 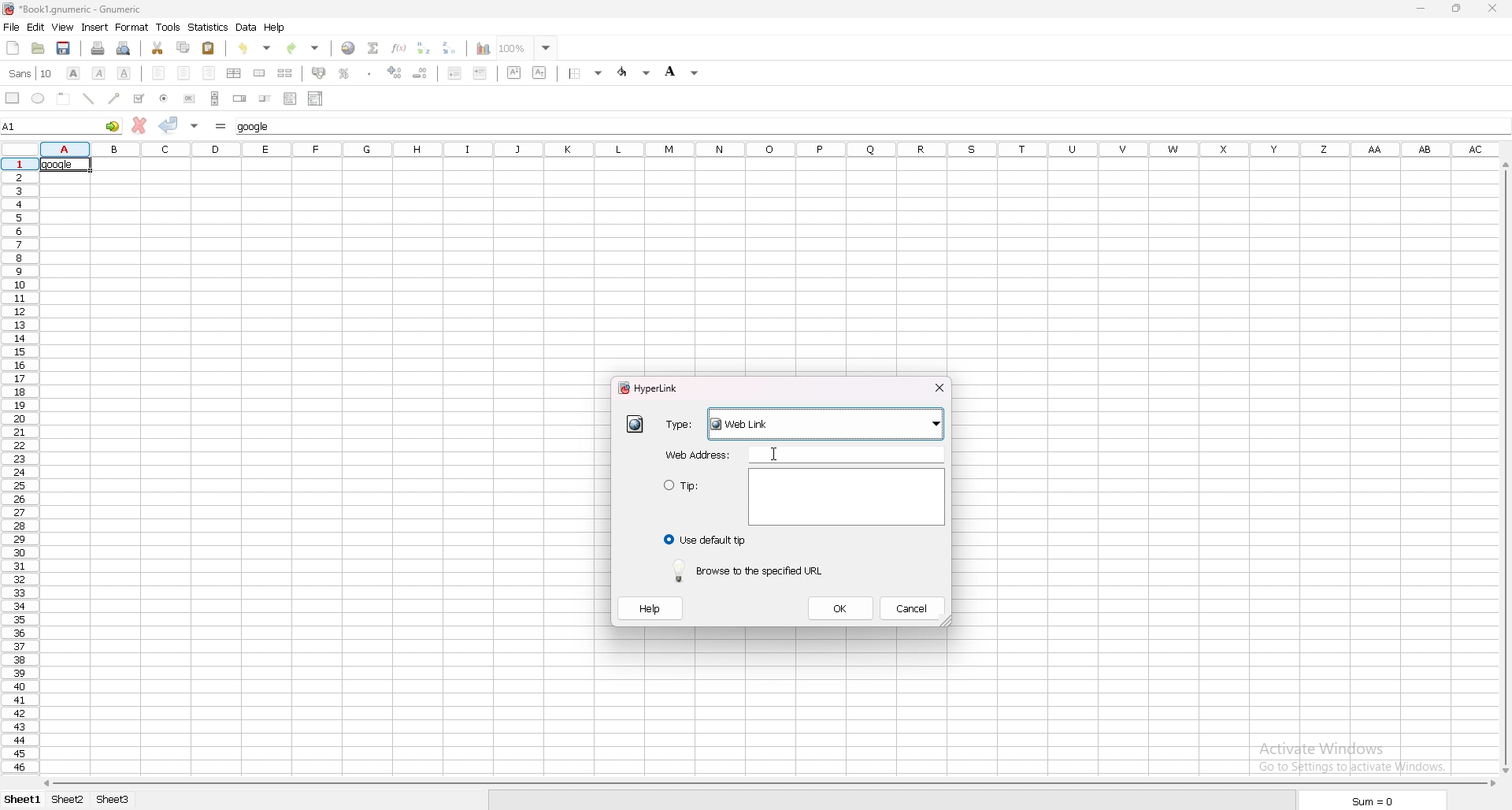 I want to click on accept change, so click(x=169, y=124).